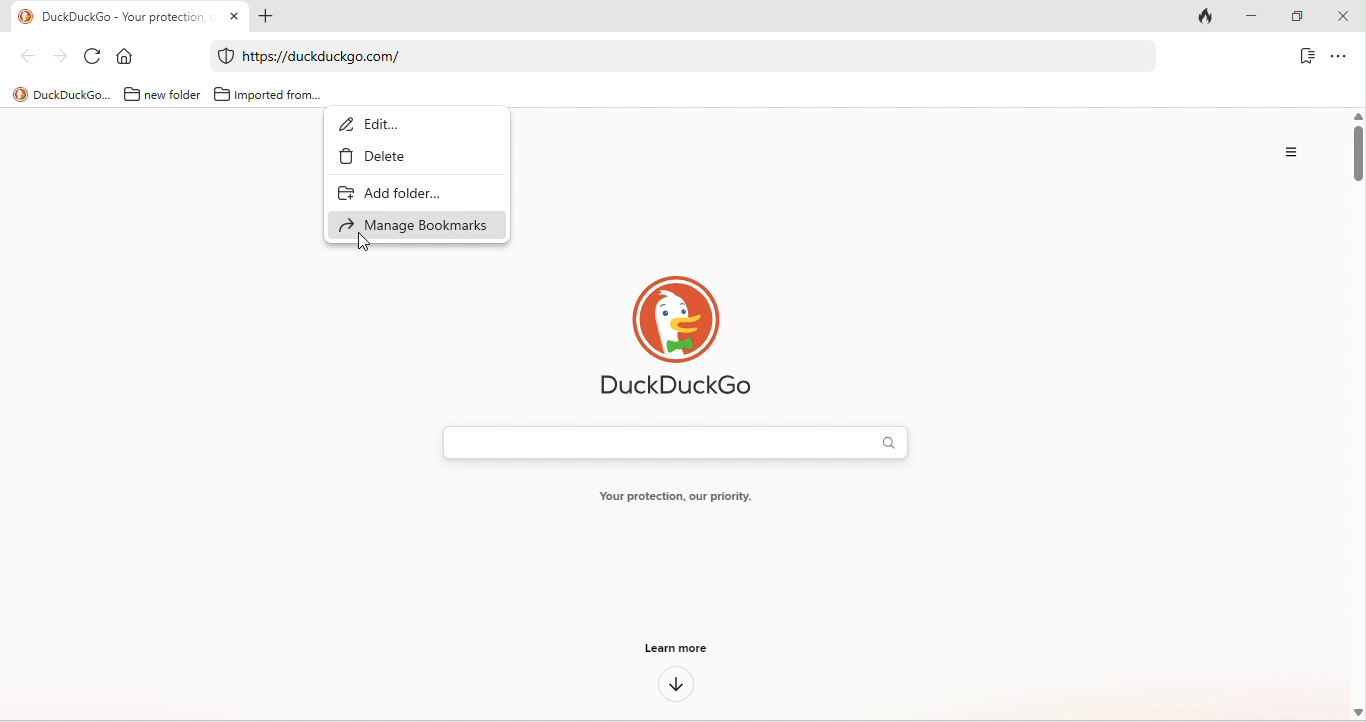 This screenshot has width=1366, height=722. I want to click on imported from, so click(267, 91).